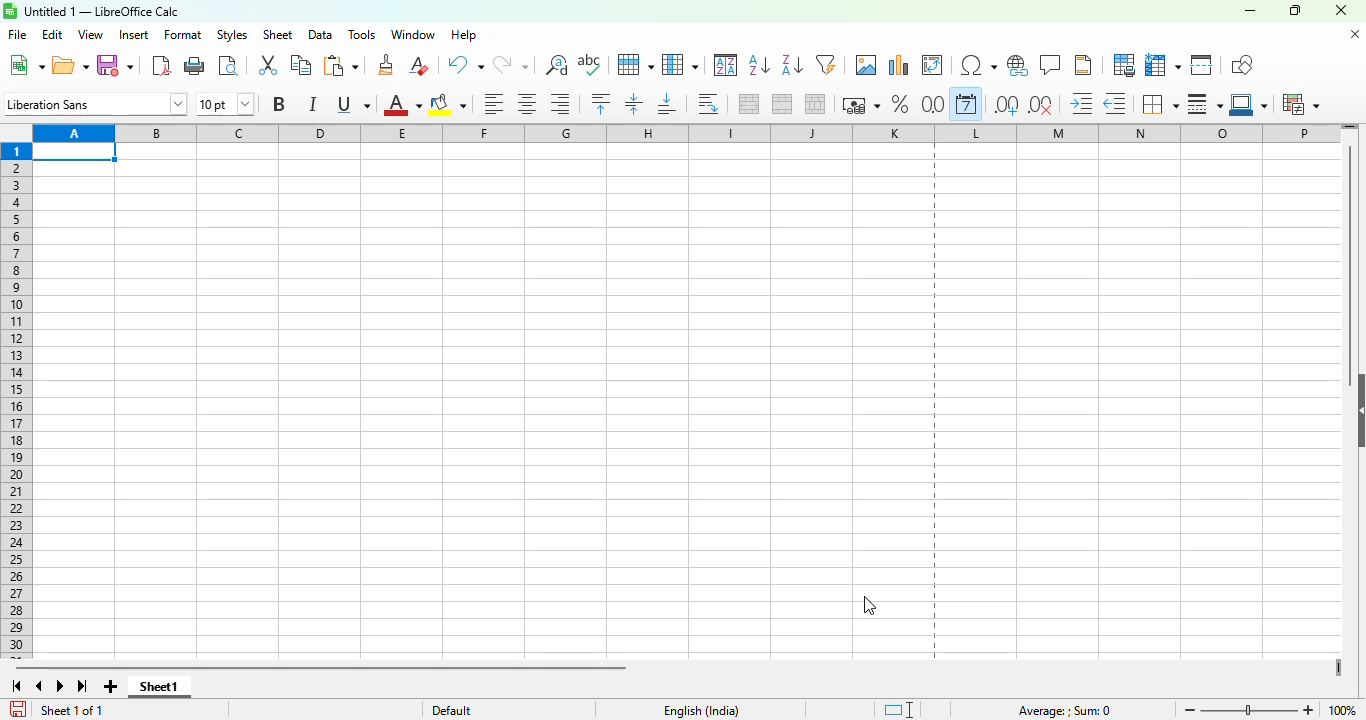 This screenshot has width=1366, height=720. What do you see at coordinates (102, 11) in the screenshot?
I see `title` at bounding box center [102, 11].